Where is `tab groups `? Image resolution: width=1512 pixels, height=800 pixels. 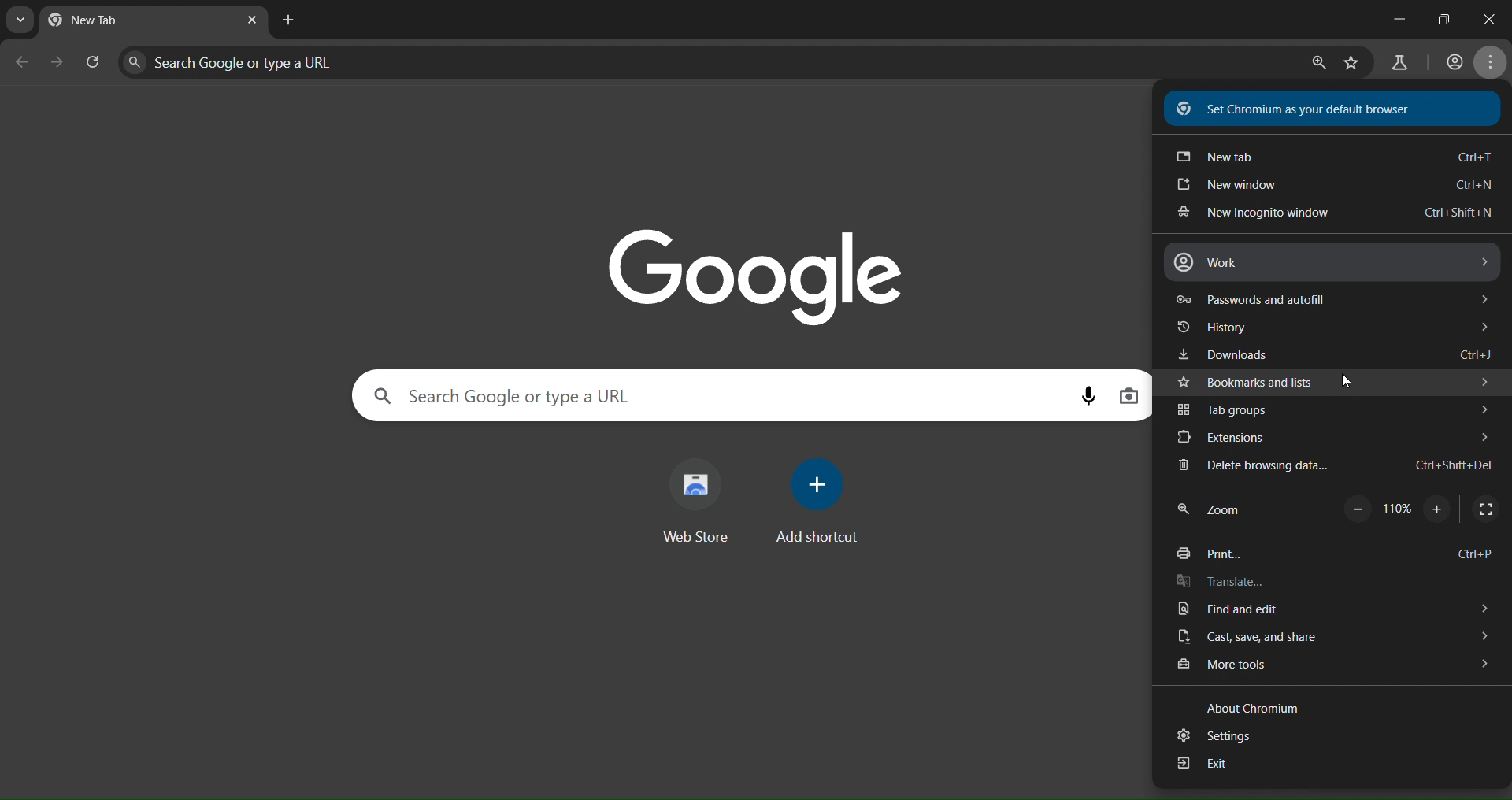 tab groups  is located at coordinates (1332, 411).